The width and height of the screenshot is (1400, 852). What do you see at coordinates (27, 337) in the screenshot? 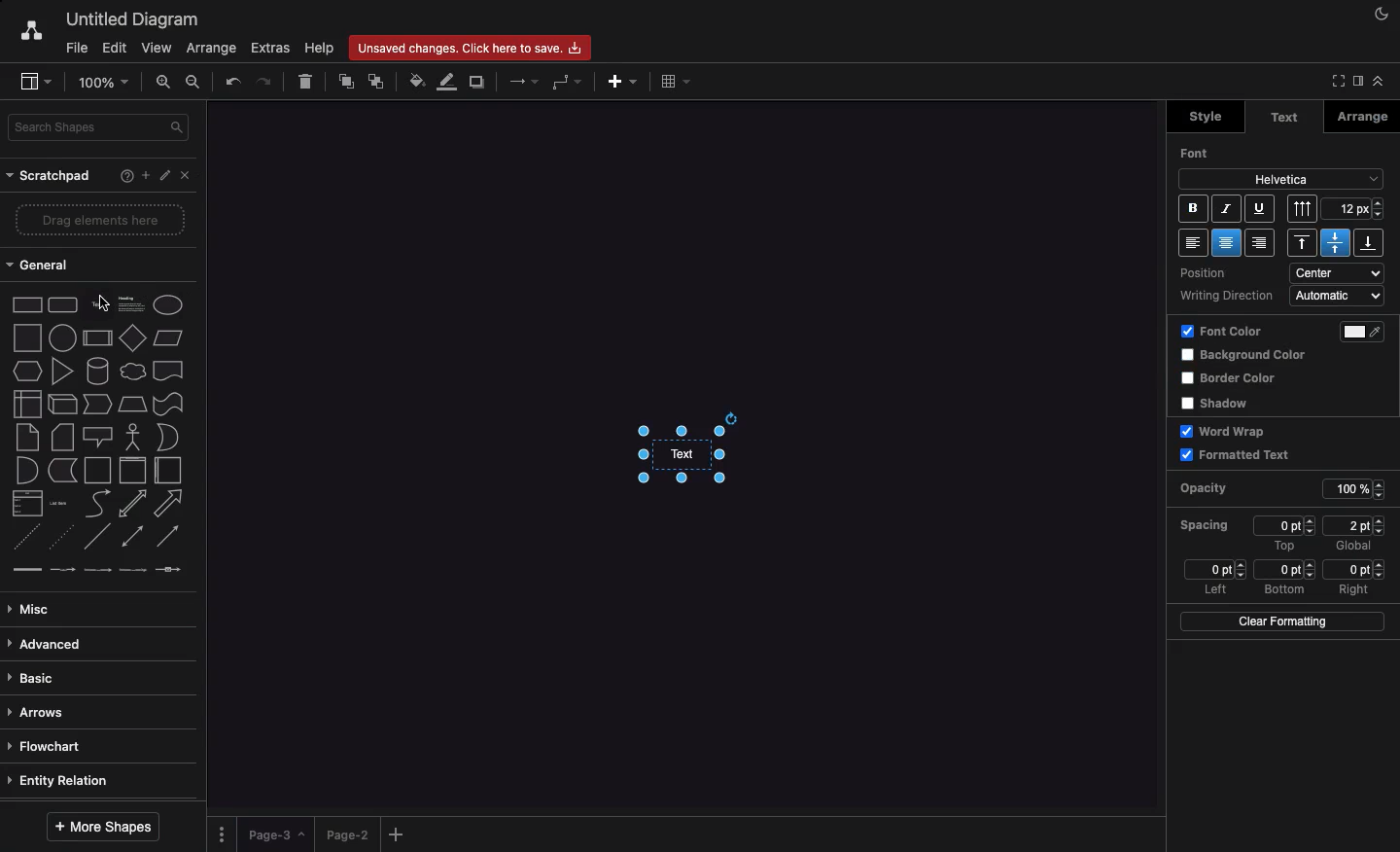
I see `square` at bounding box center [27, 337].